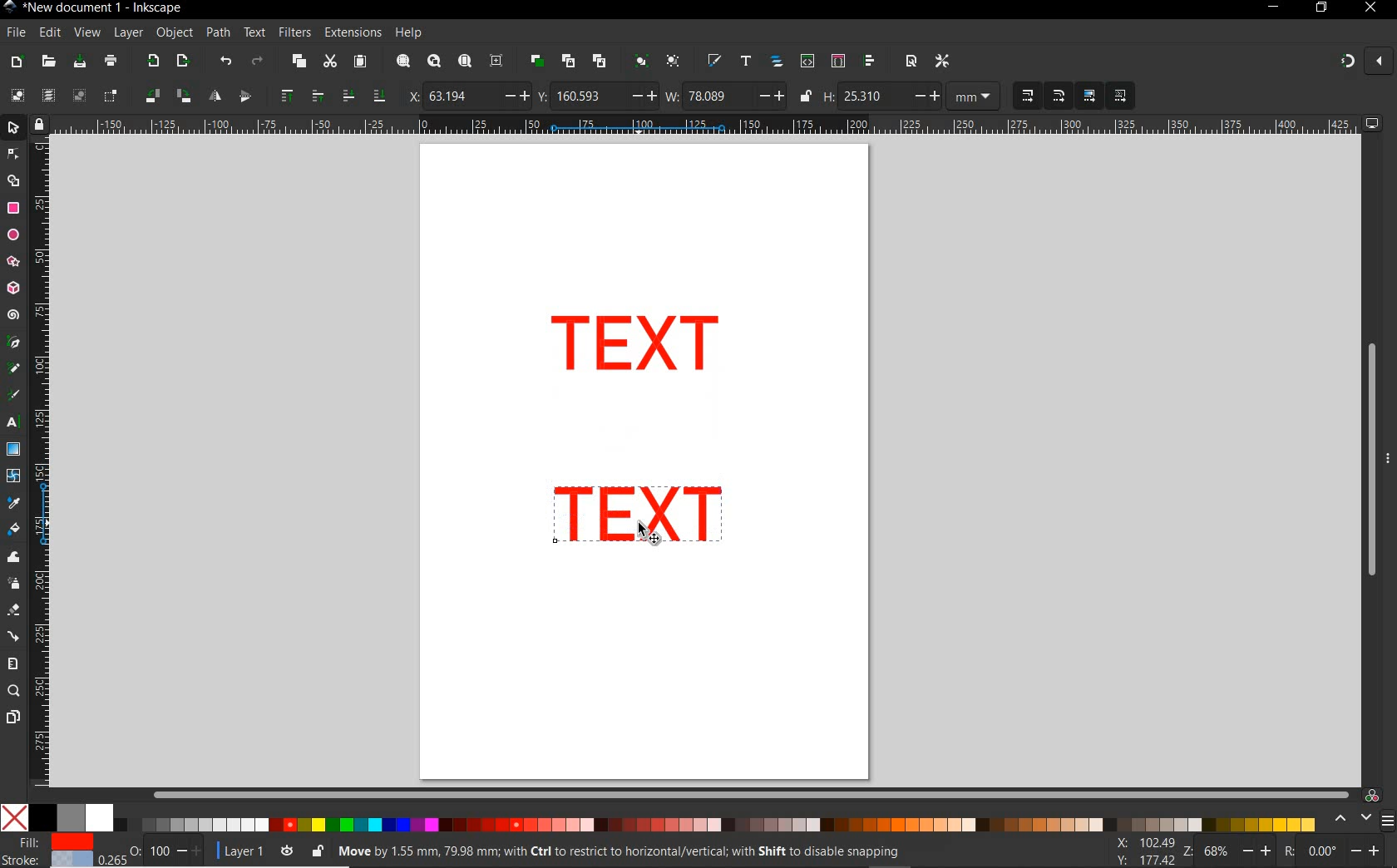  What do you see at coordinates (362, 96) in the screenshot?
I see `lower selection` at bounding box center [362, 96].